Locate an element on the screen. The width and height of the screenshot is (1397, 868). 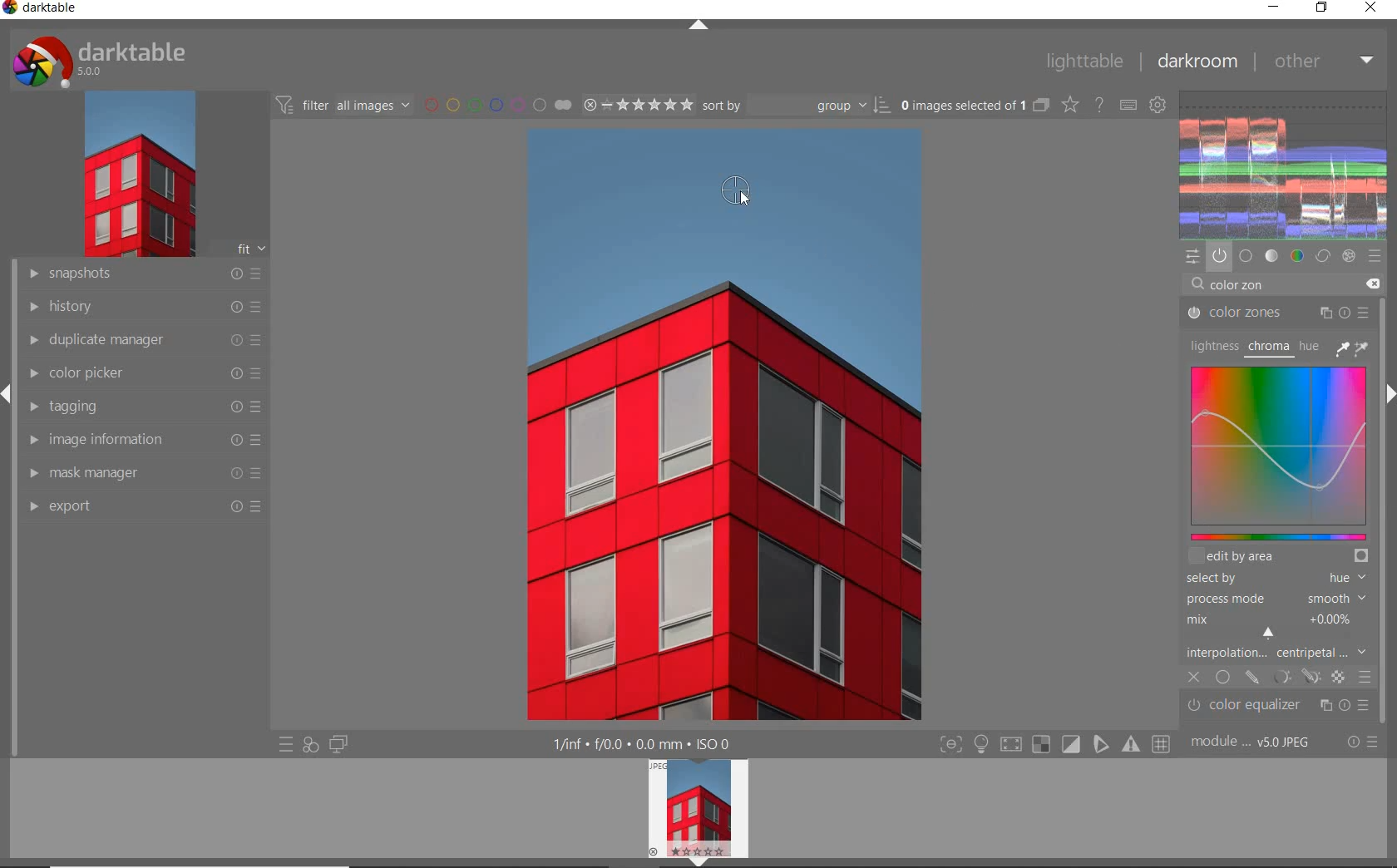
image is located at coordinates (138, 177).